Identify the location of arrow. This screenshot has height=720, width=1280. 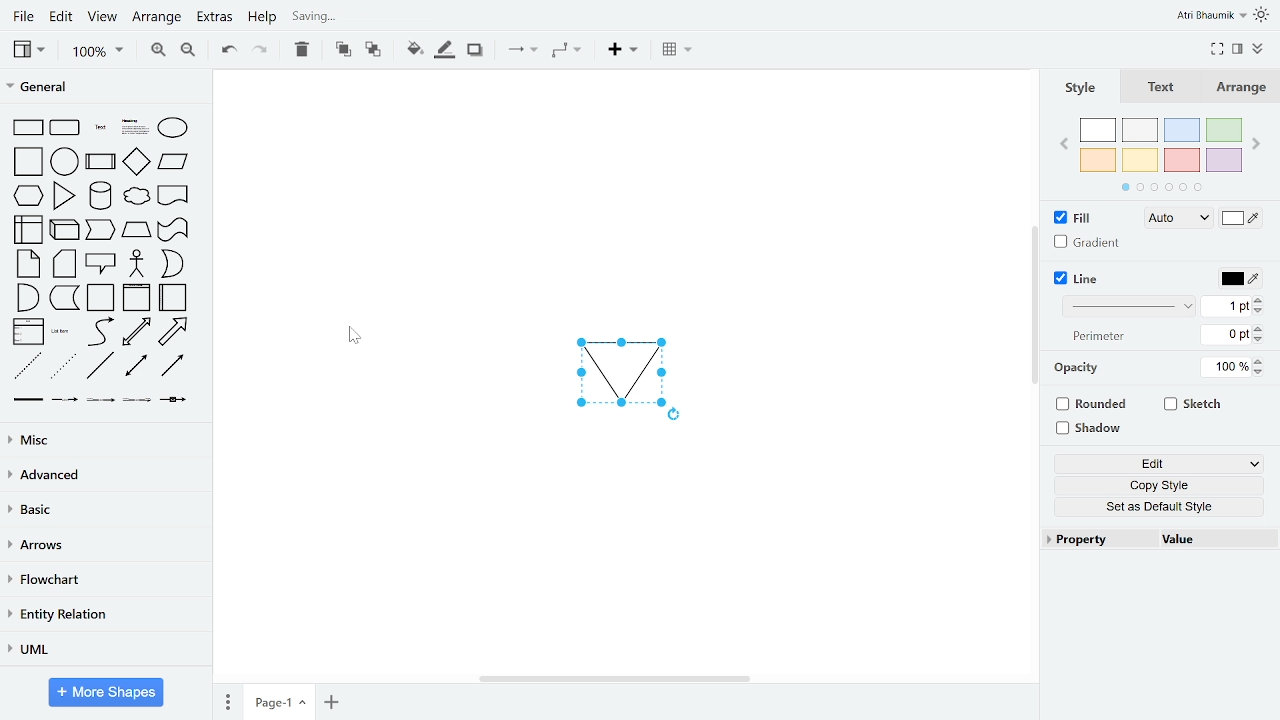
(177, 331).